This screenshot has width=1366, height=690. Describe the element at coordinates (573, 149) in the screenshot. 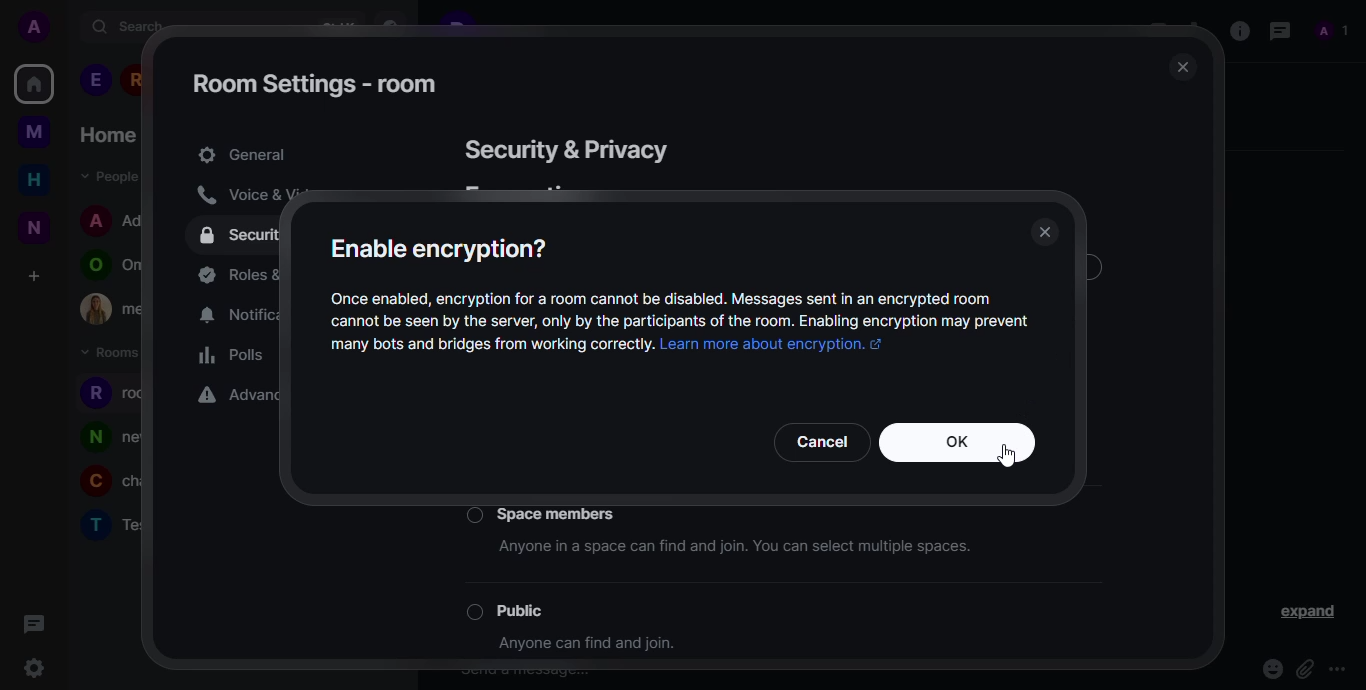

I see `security& privacy` at that location.